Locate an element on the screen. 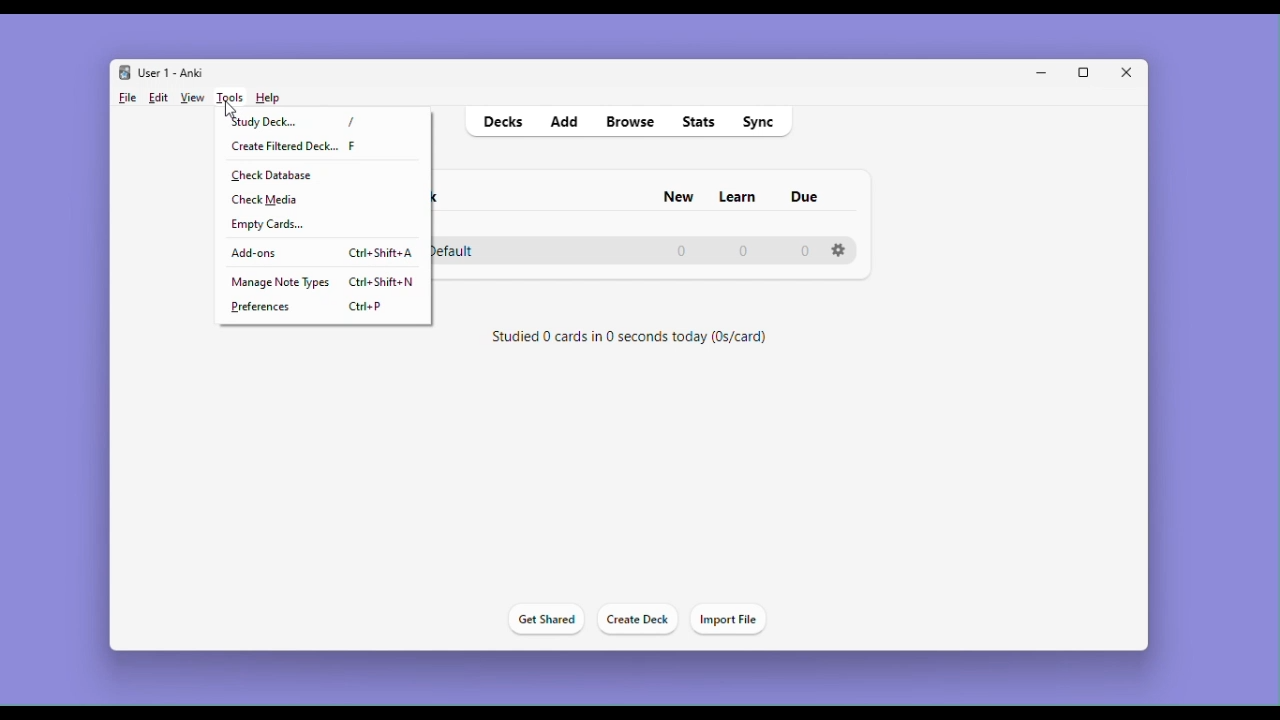  Learn  is located at coordinates (742, 197).